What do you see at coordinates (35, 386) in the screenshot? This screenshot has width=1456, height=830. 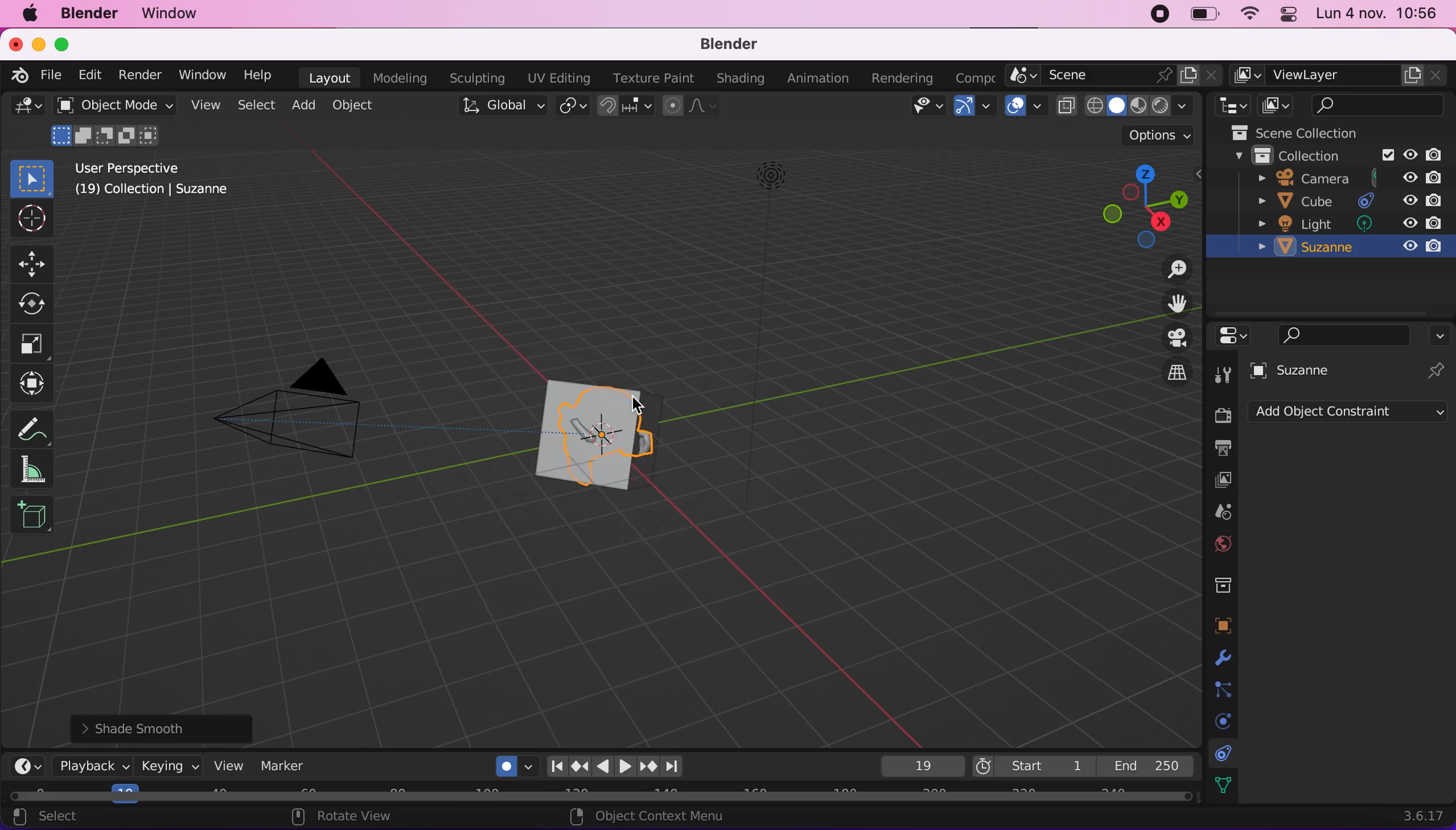 I see `transform` at bounding box center [35, 386].